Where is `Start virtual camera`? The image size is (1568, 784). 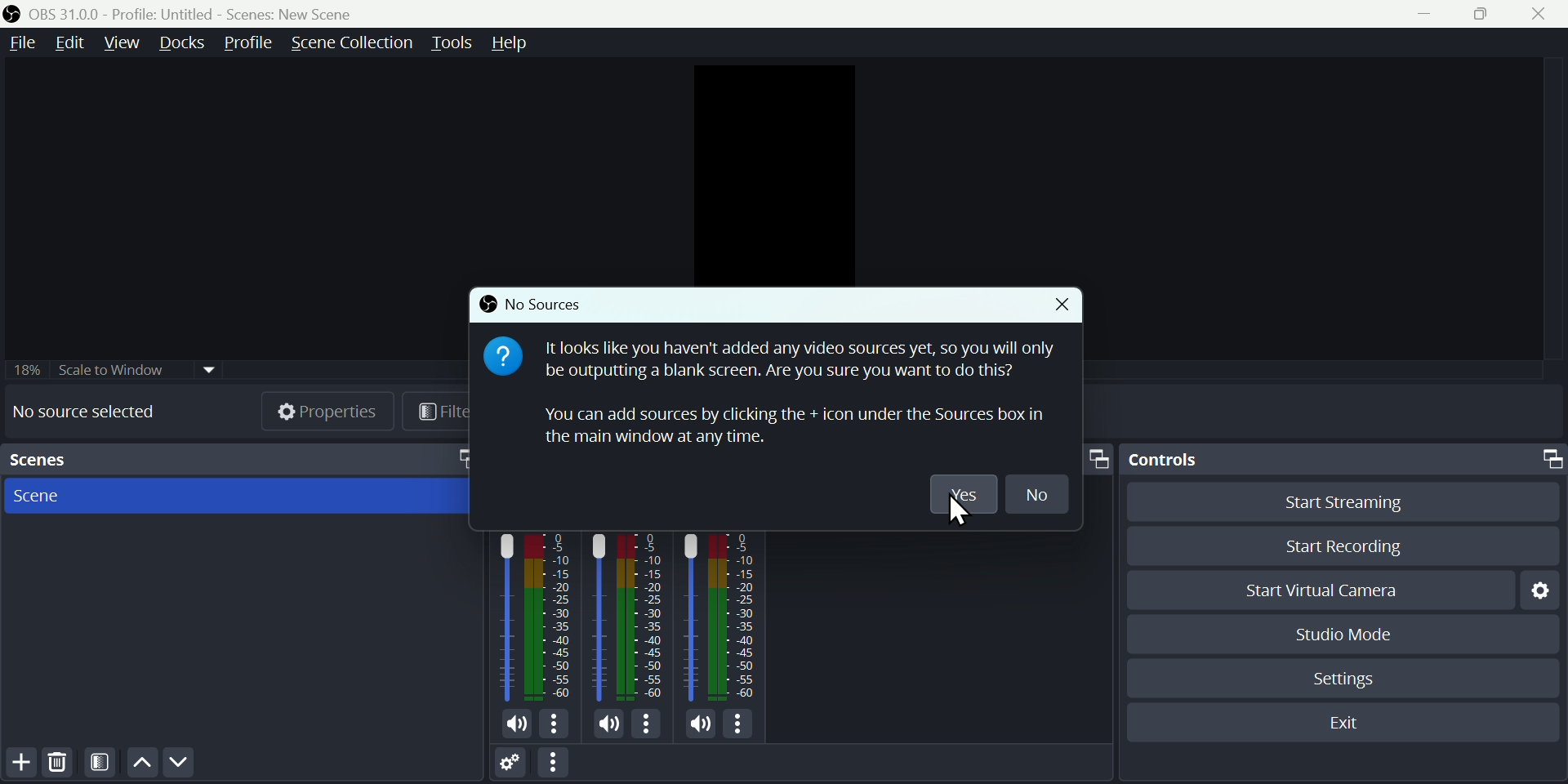
Start virtual camera is located at coordinates (1322, 589).